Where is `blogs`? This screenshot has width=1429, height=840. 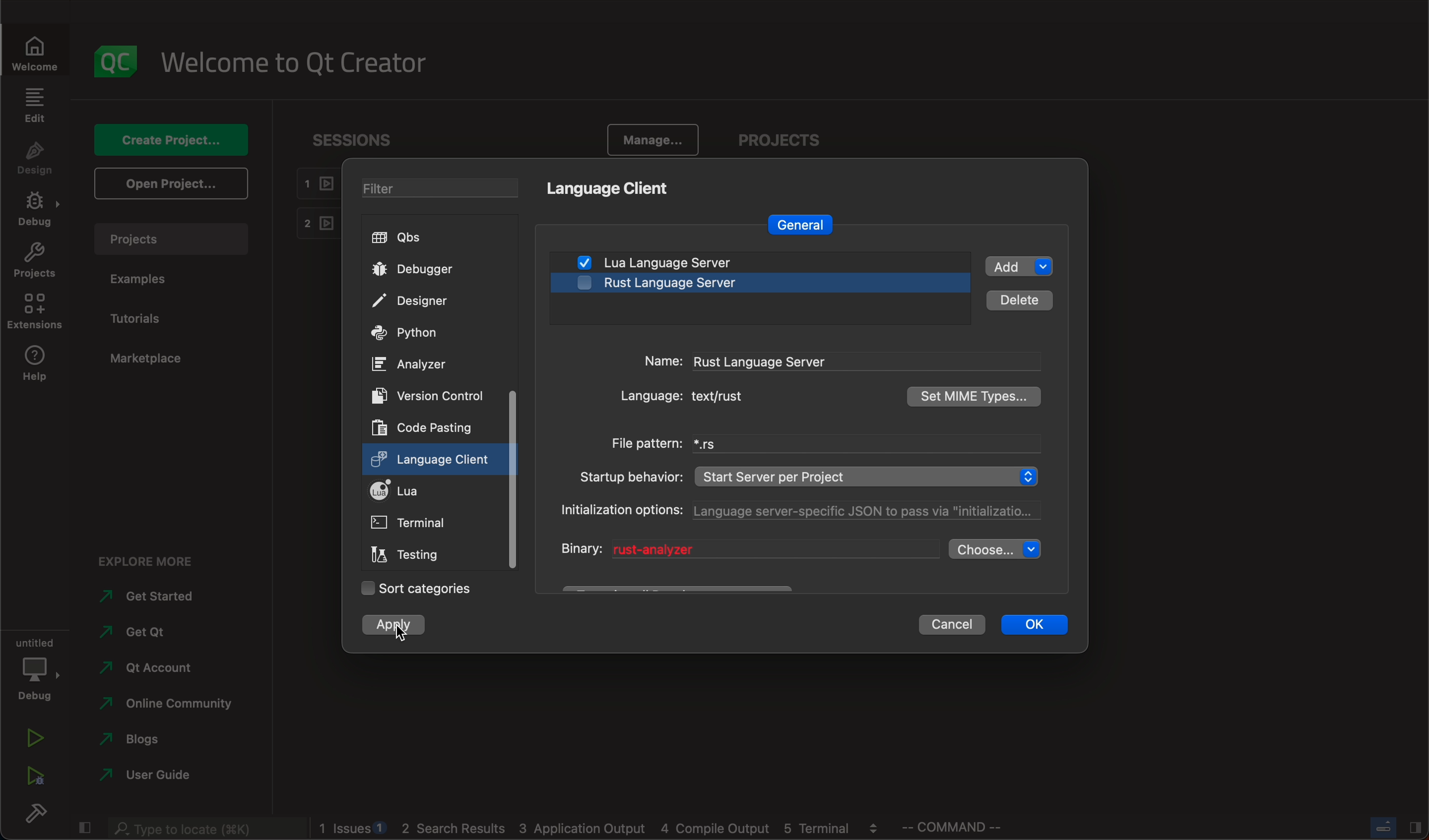 blogs is located at coordinates (164, 740).